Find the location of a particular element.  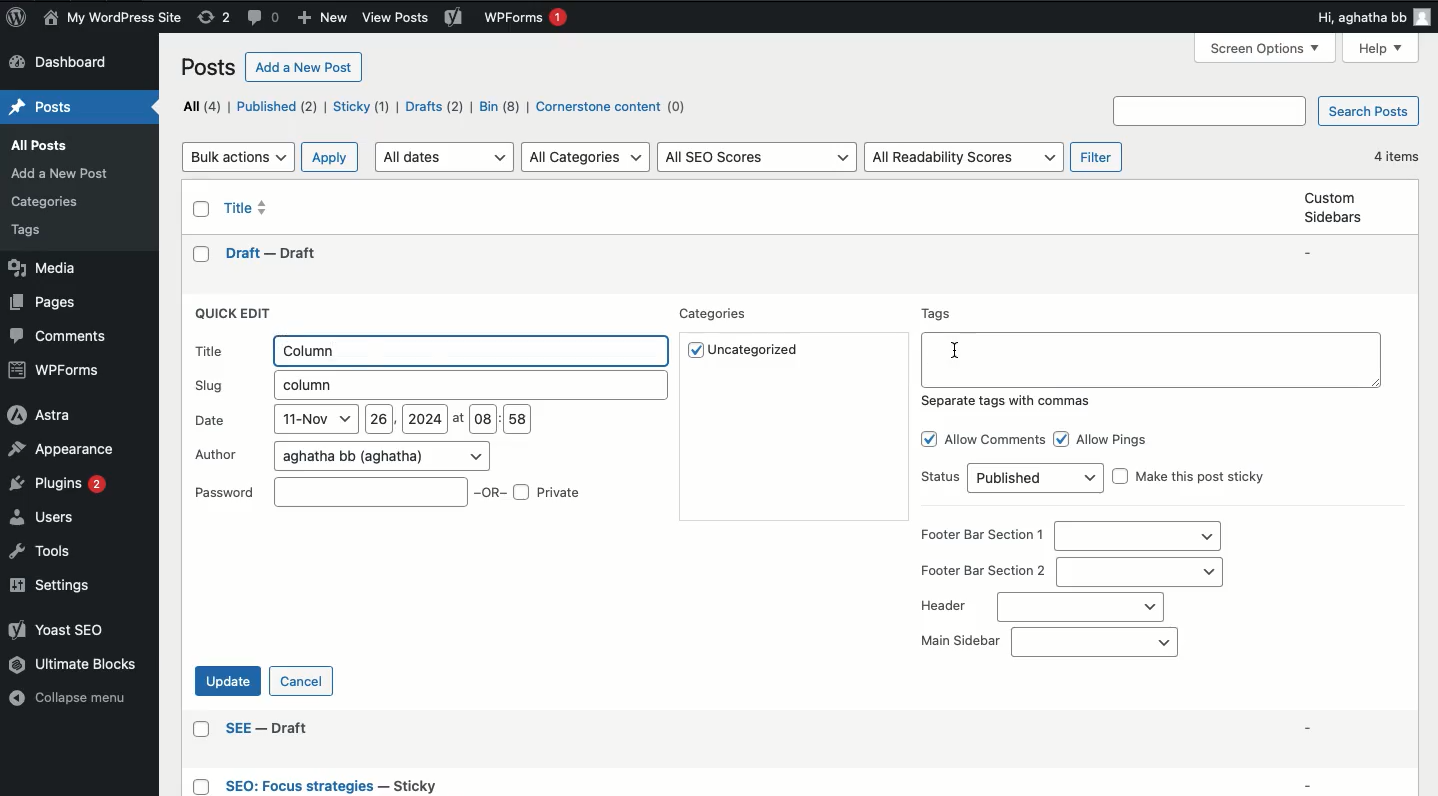

Apply is located at coordinates (332, 156).